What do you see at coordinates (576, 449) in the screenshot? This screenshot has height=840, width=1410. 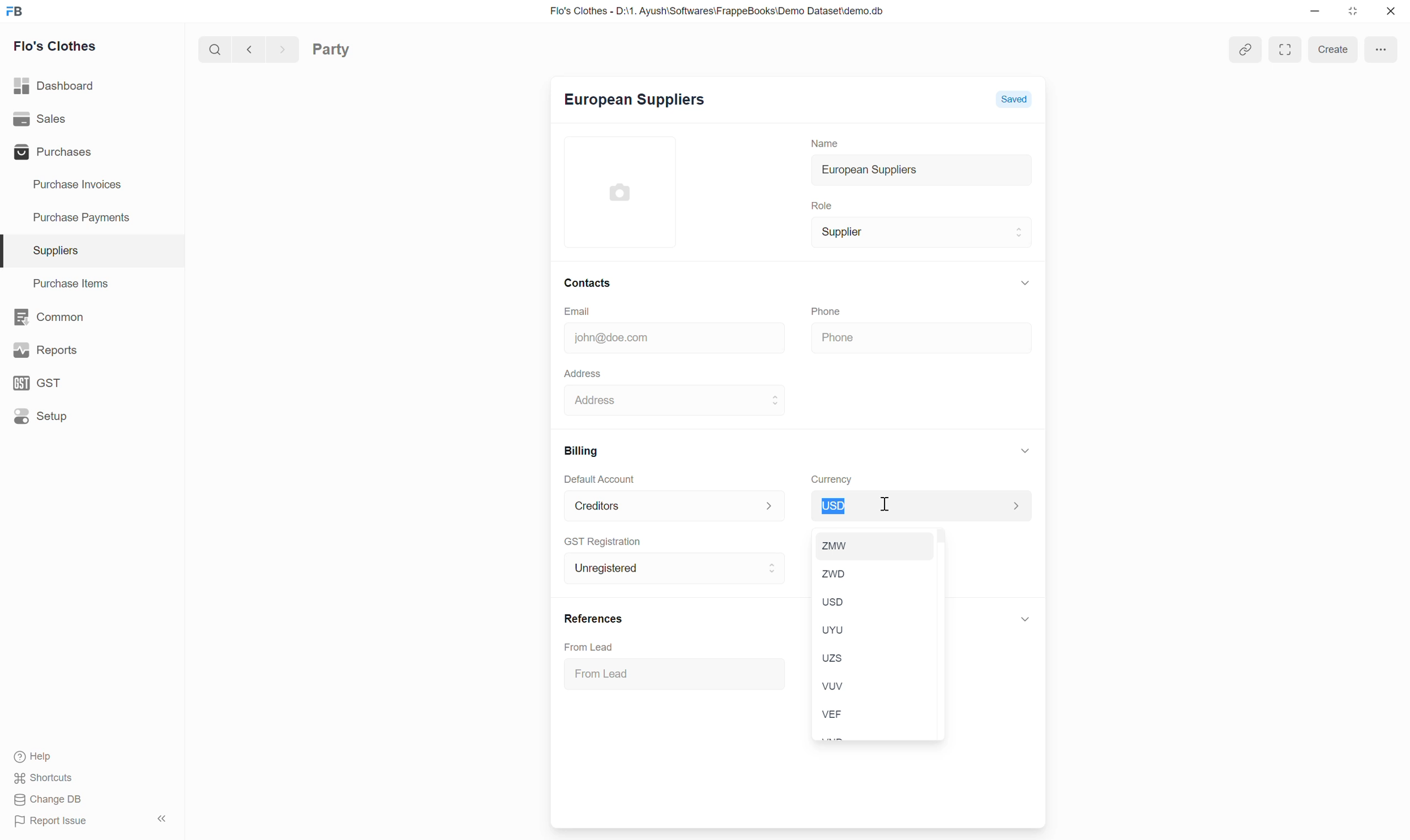 I see `Billing` at bounding box center [576, 449].